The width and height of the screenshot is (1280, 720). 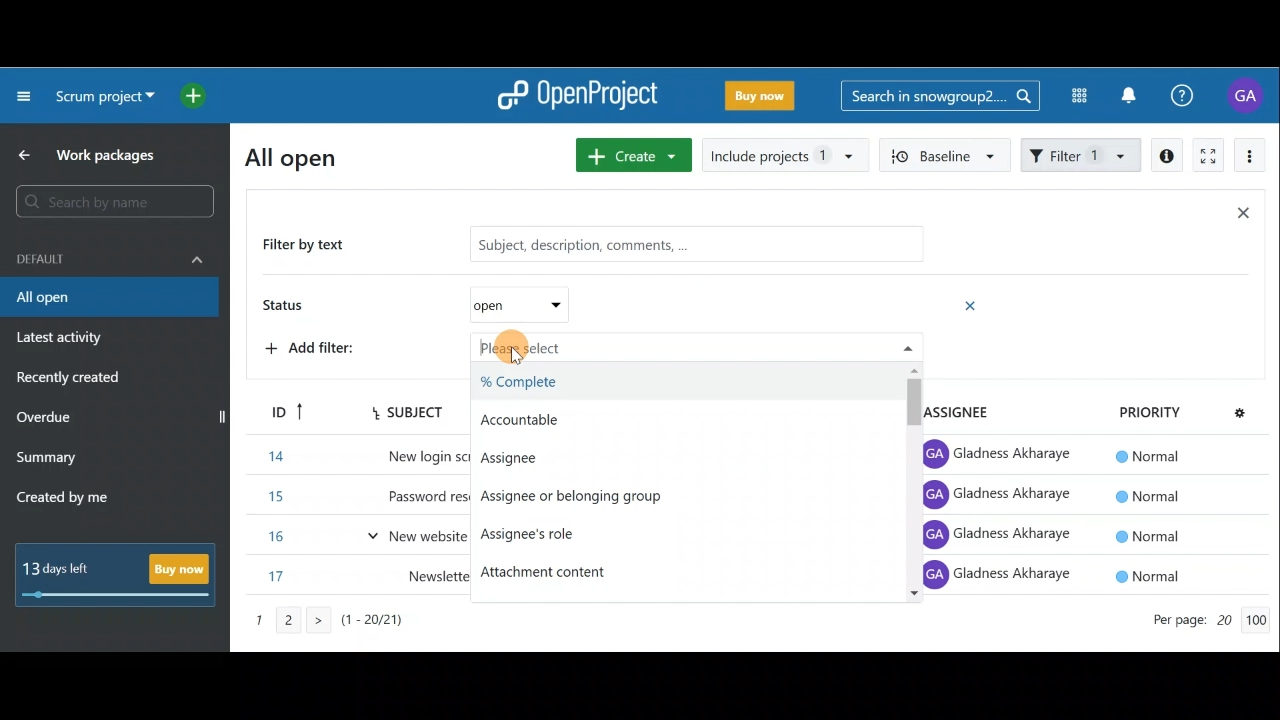 I want to click on Assignee's role, so click(x=592, y=534).